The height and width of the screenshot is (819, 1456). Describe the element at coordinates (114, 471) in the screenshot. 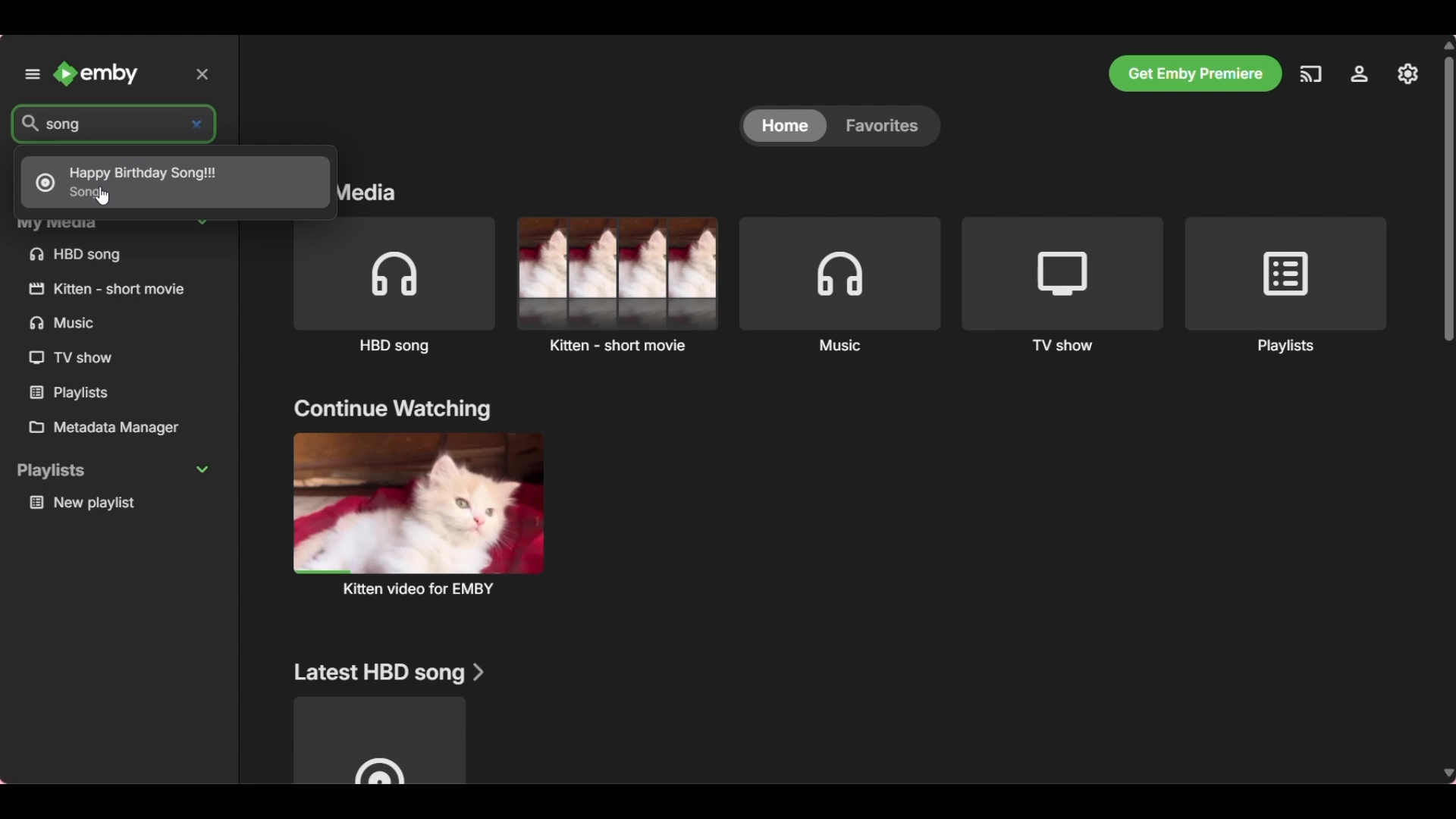

I see `playlists` at that location.